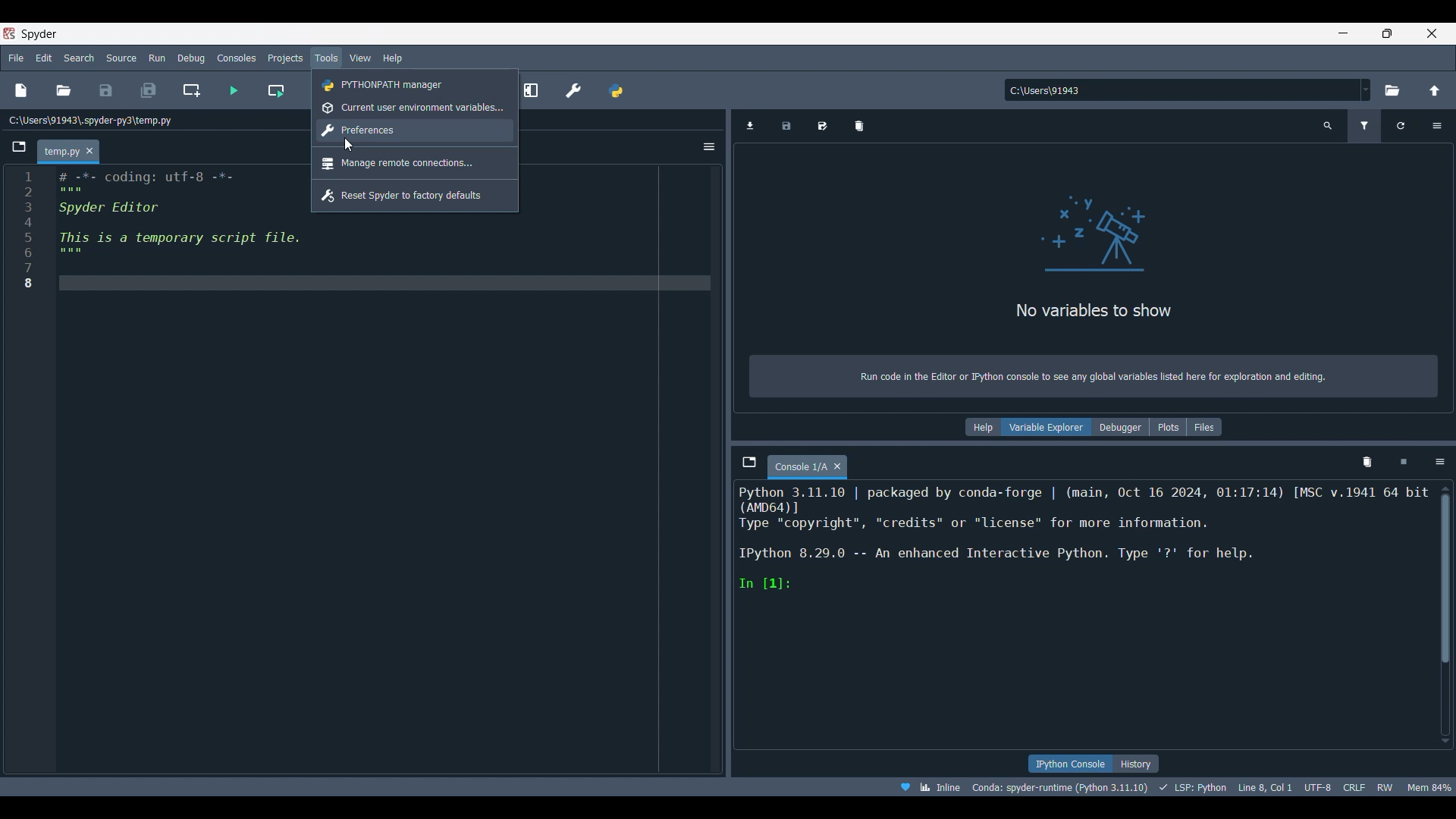  What do you see at coordinates (190, 58) in the screenshot?
I see `Debug menu` at bounding box center [190, 58].